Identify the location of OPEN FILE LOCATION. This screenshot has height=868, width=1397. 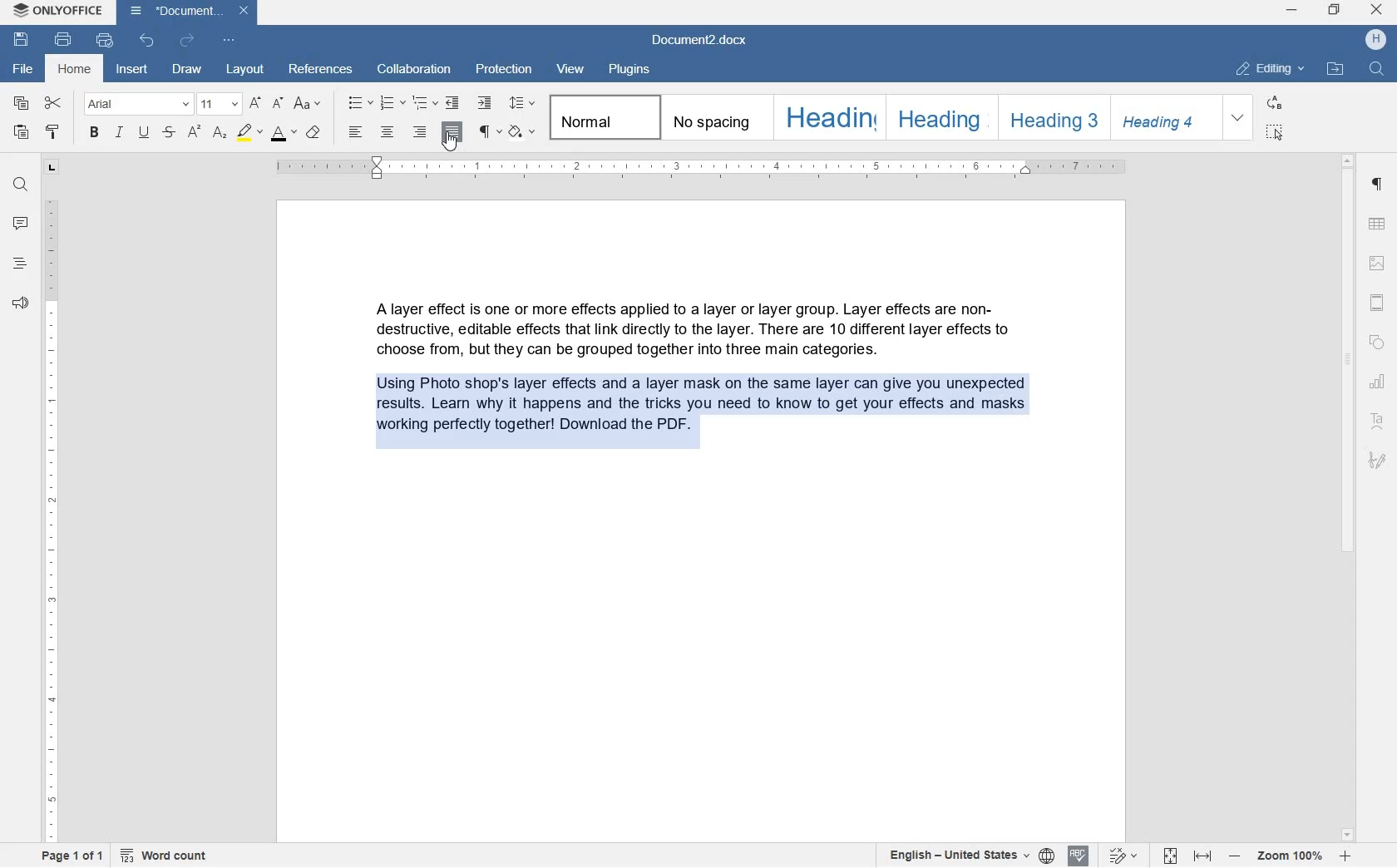
(1335, 71).